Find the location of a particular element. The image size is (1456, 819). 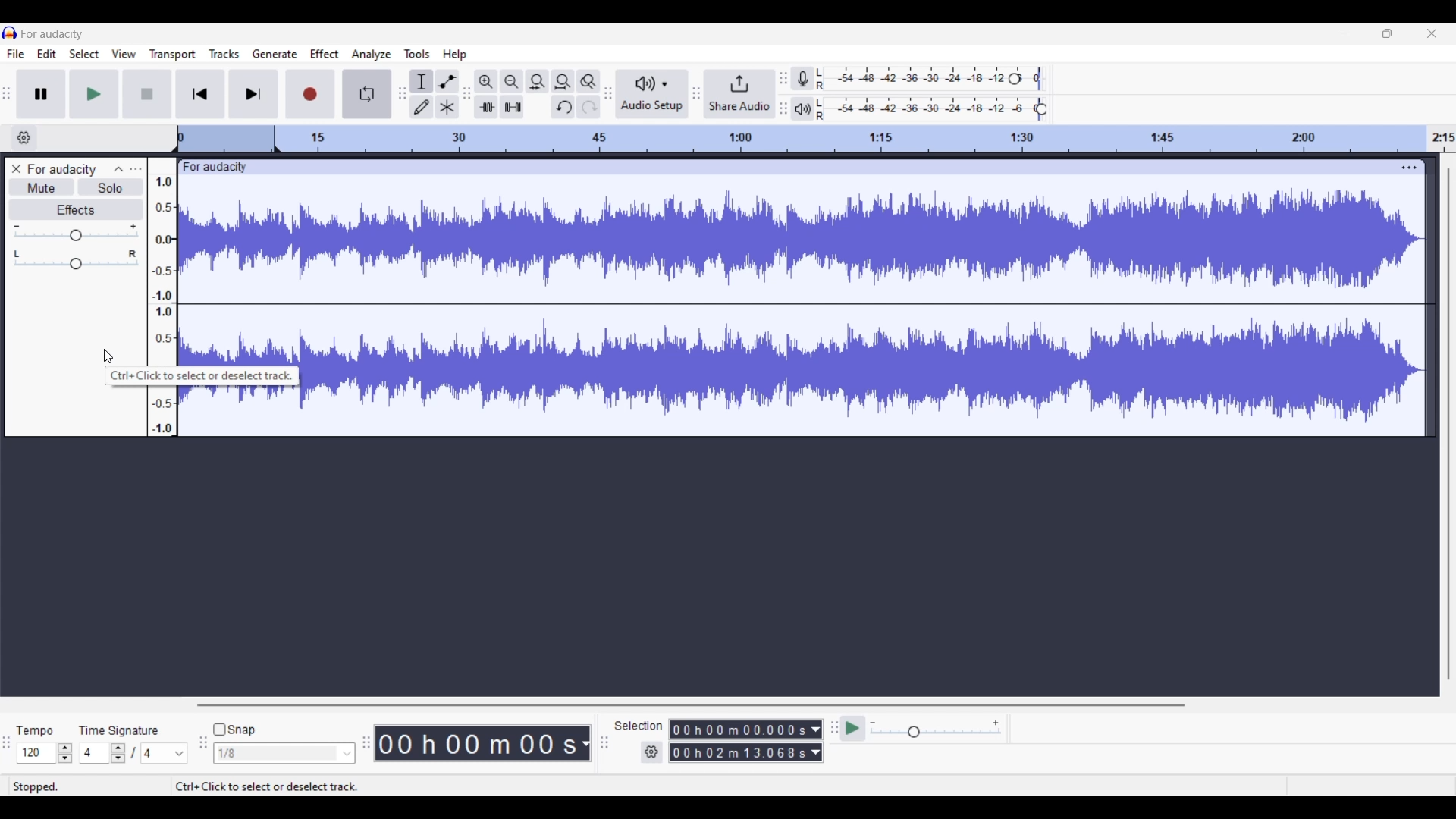

Max. playback speed is located at coordinates (996, 723).